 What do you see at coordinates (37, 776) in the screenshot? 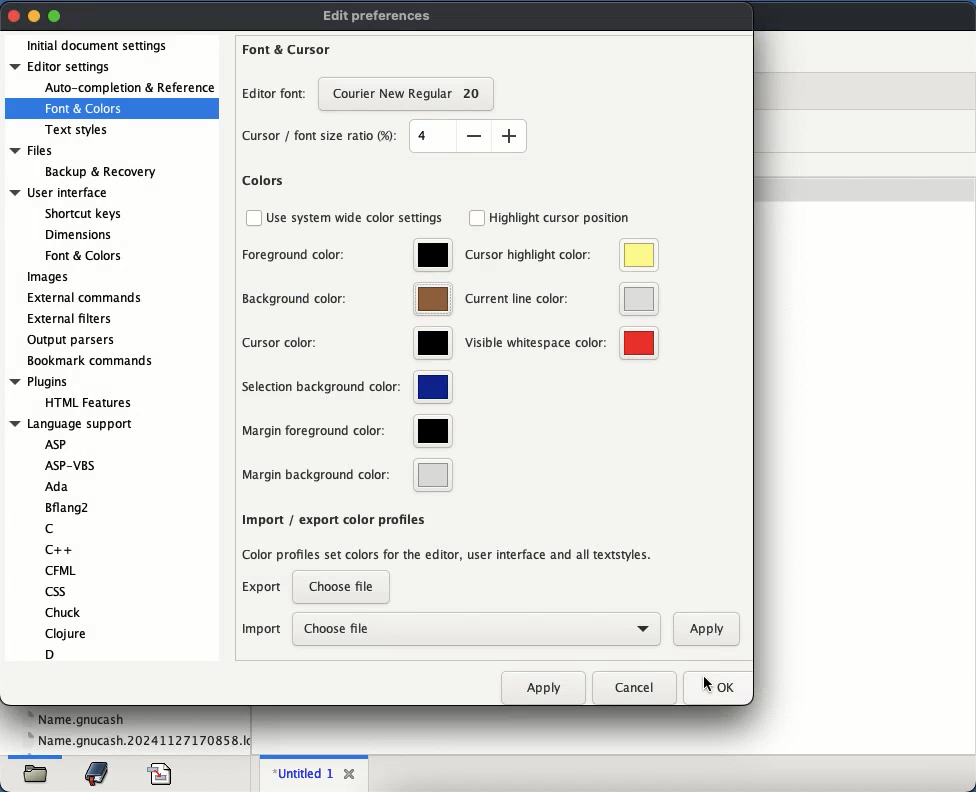
I see `file` at bounding box center [37, 776].